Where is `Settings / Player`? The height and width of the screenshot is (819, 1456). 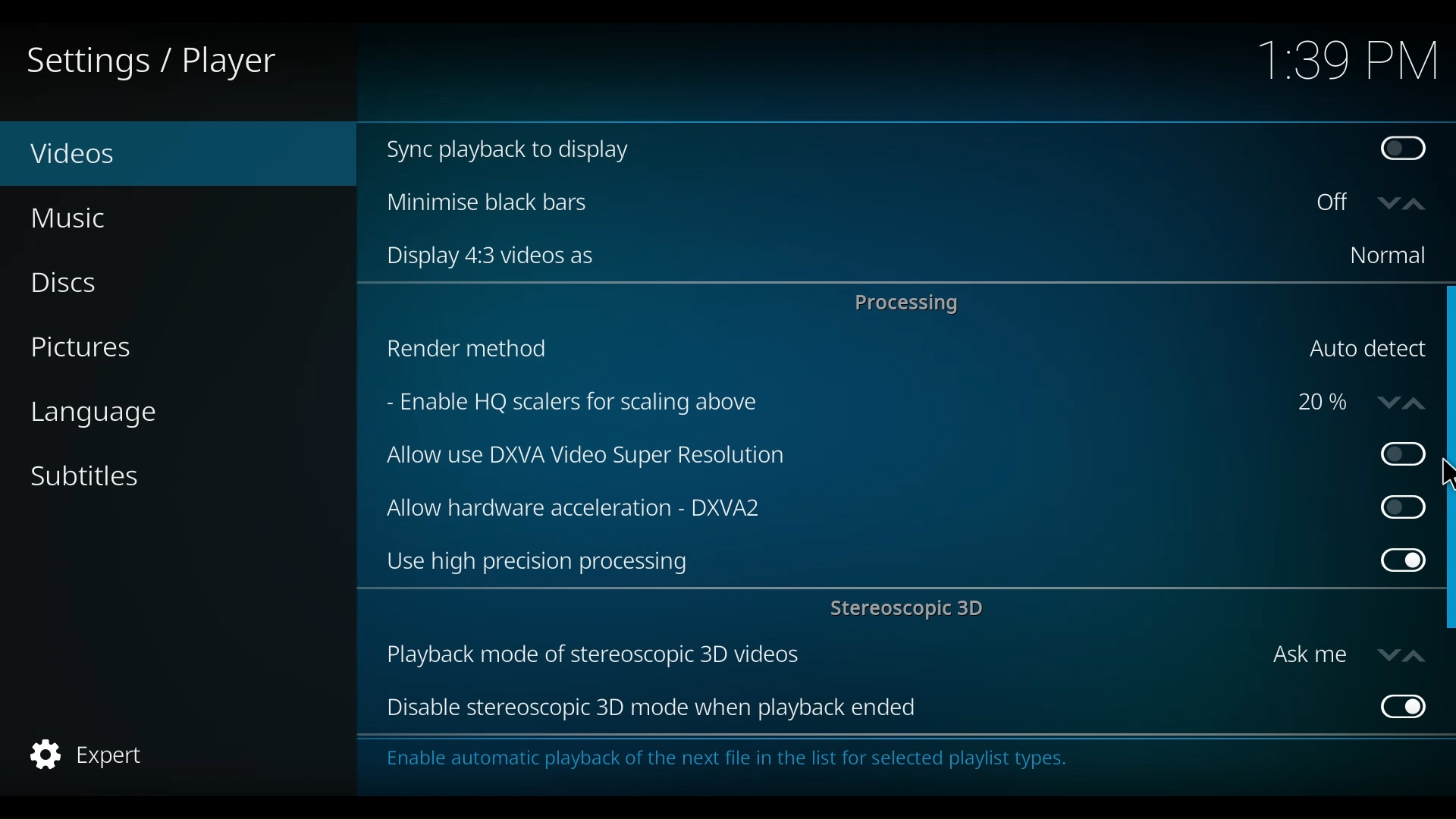 Settings / Player is located at coordinates (162, 61).